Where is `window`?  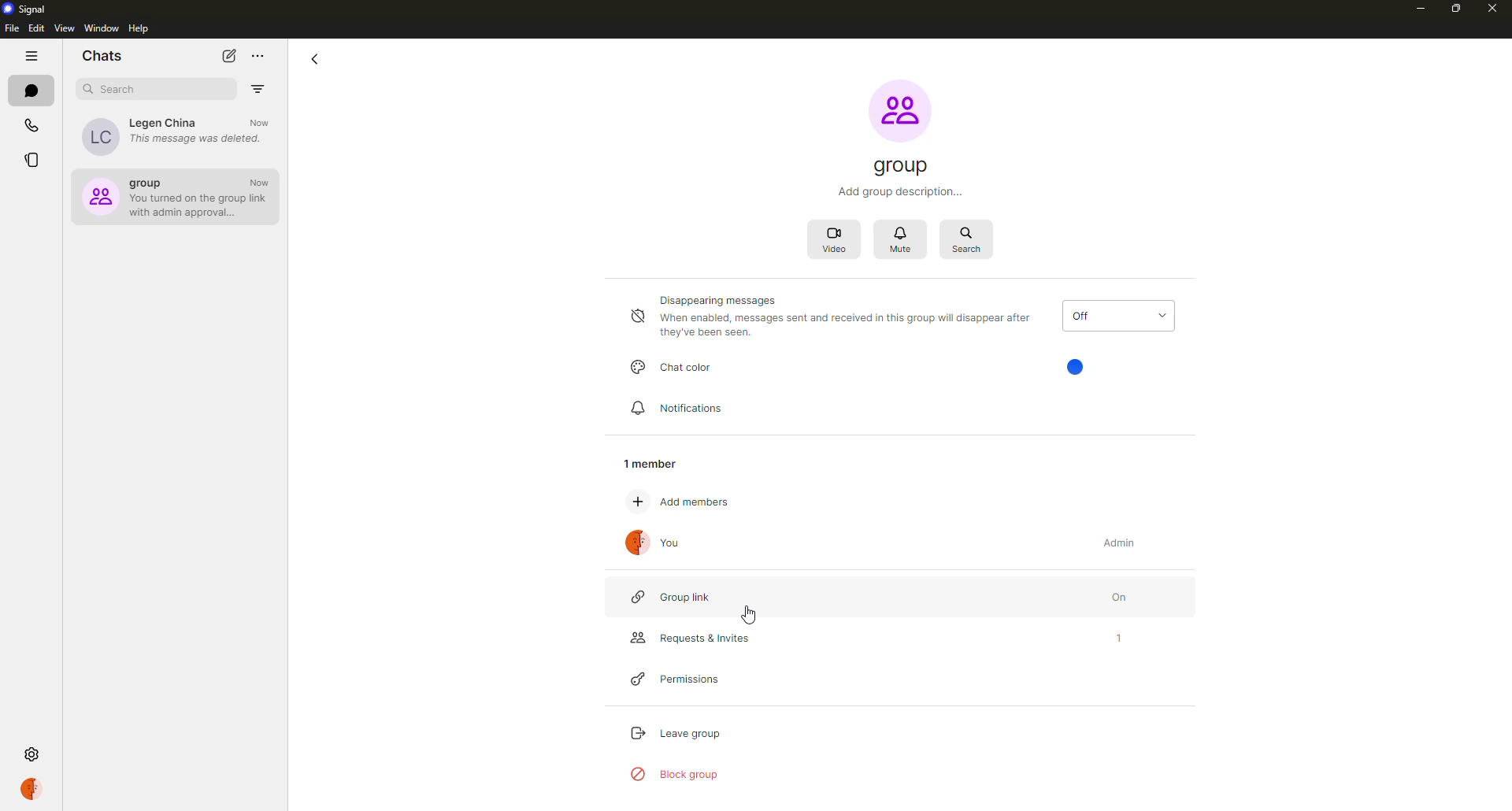
window is located at coordinates (102, 28).